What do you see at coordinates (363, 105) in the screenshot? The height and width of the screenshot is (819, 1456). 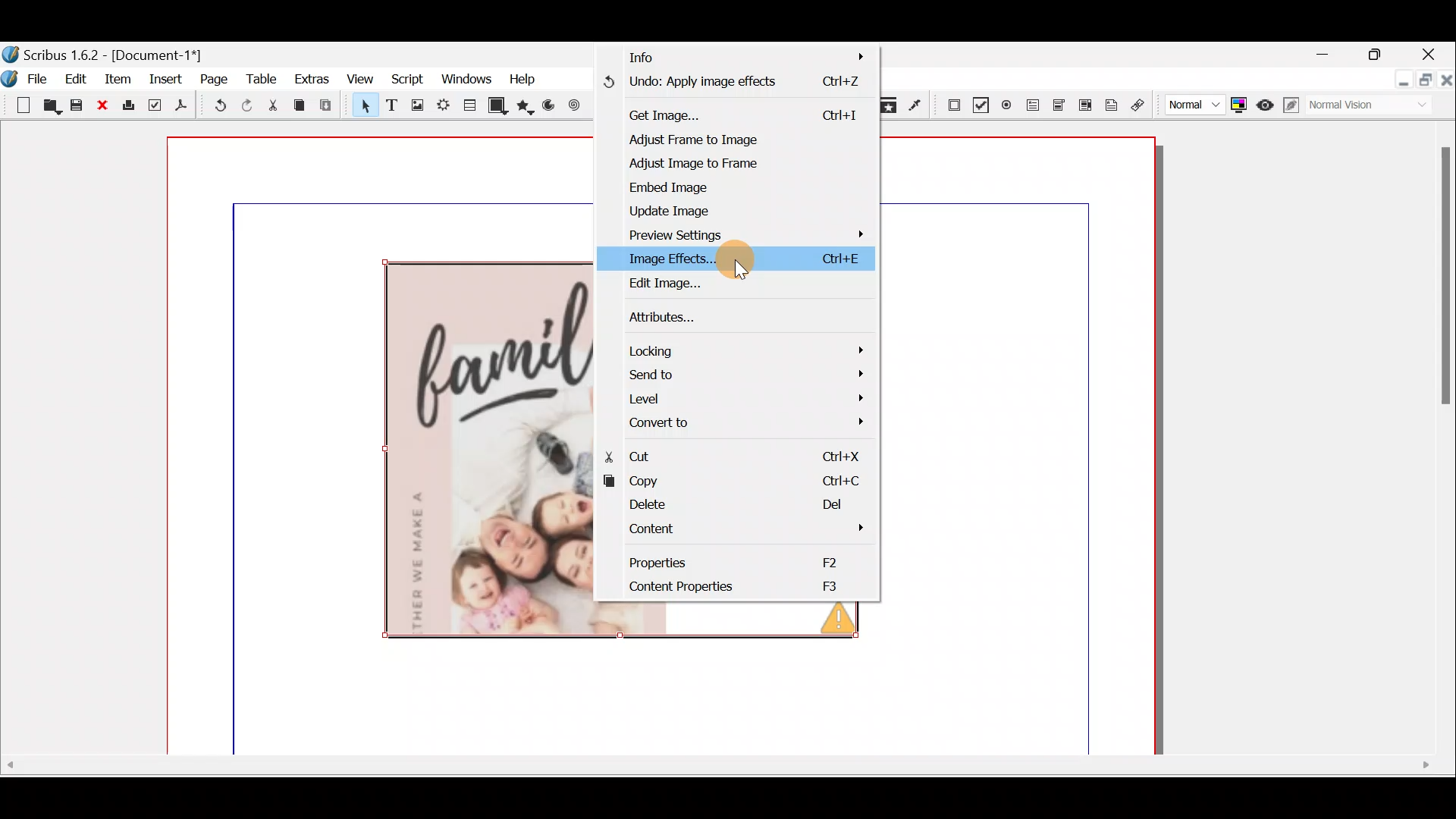 I see `Select item` at bounding box center [363, 105].